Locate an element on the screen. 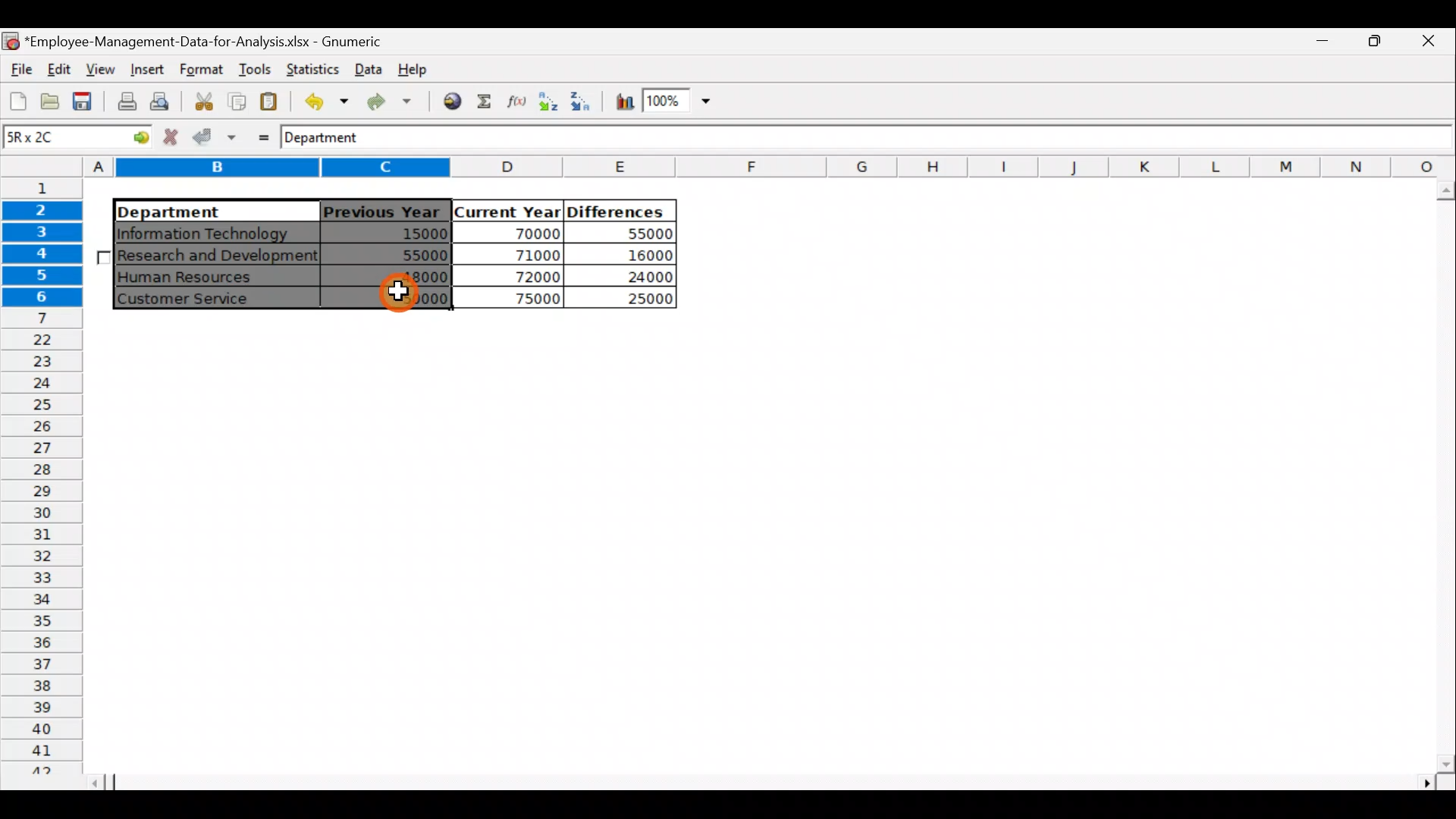  Current Year is located at coordinates (506, 210).